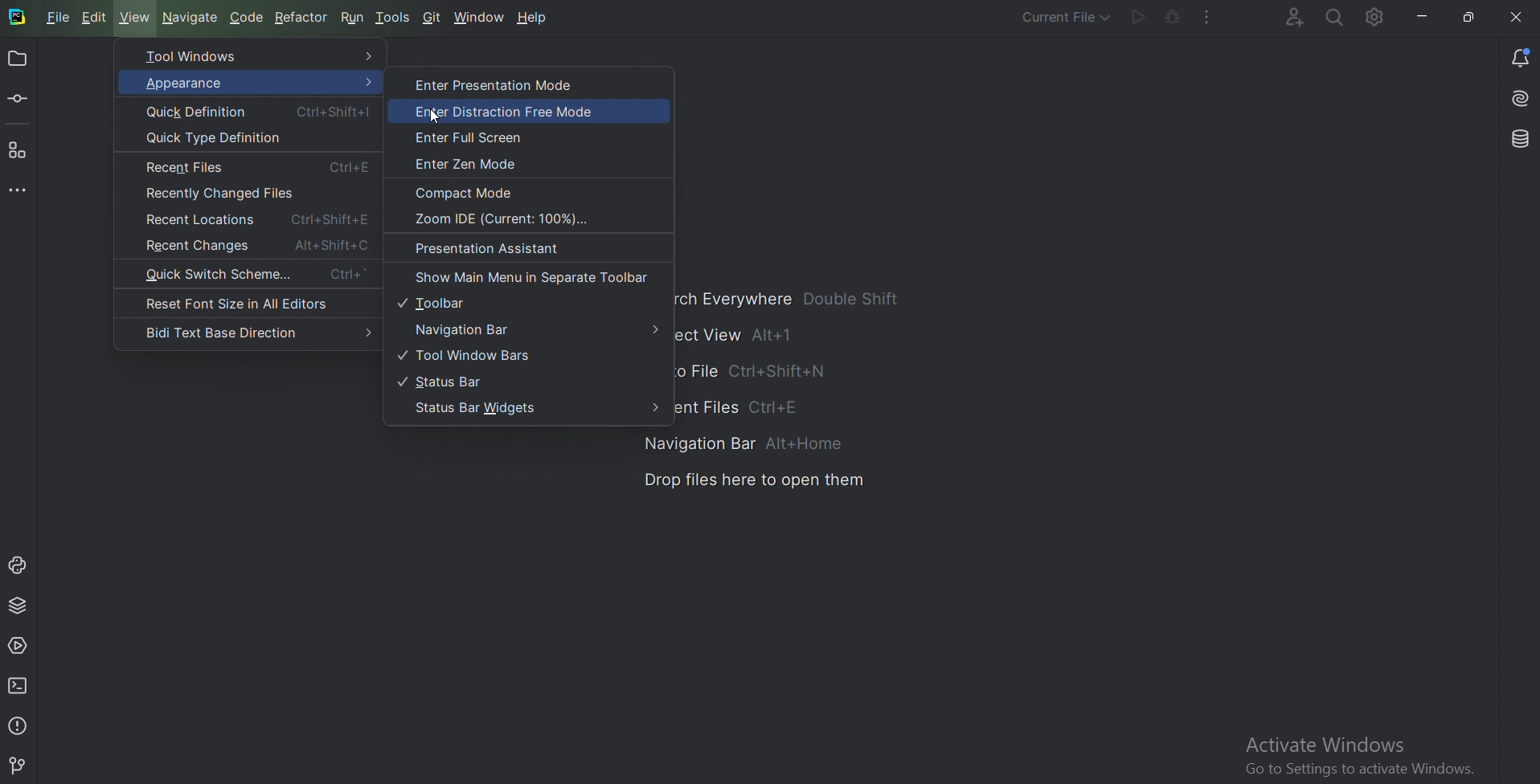 This screenshot has height=784, width=1540. Describe the element at coordinates (1173, 16) in the screenshot. I see `Debug` at that location.